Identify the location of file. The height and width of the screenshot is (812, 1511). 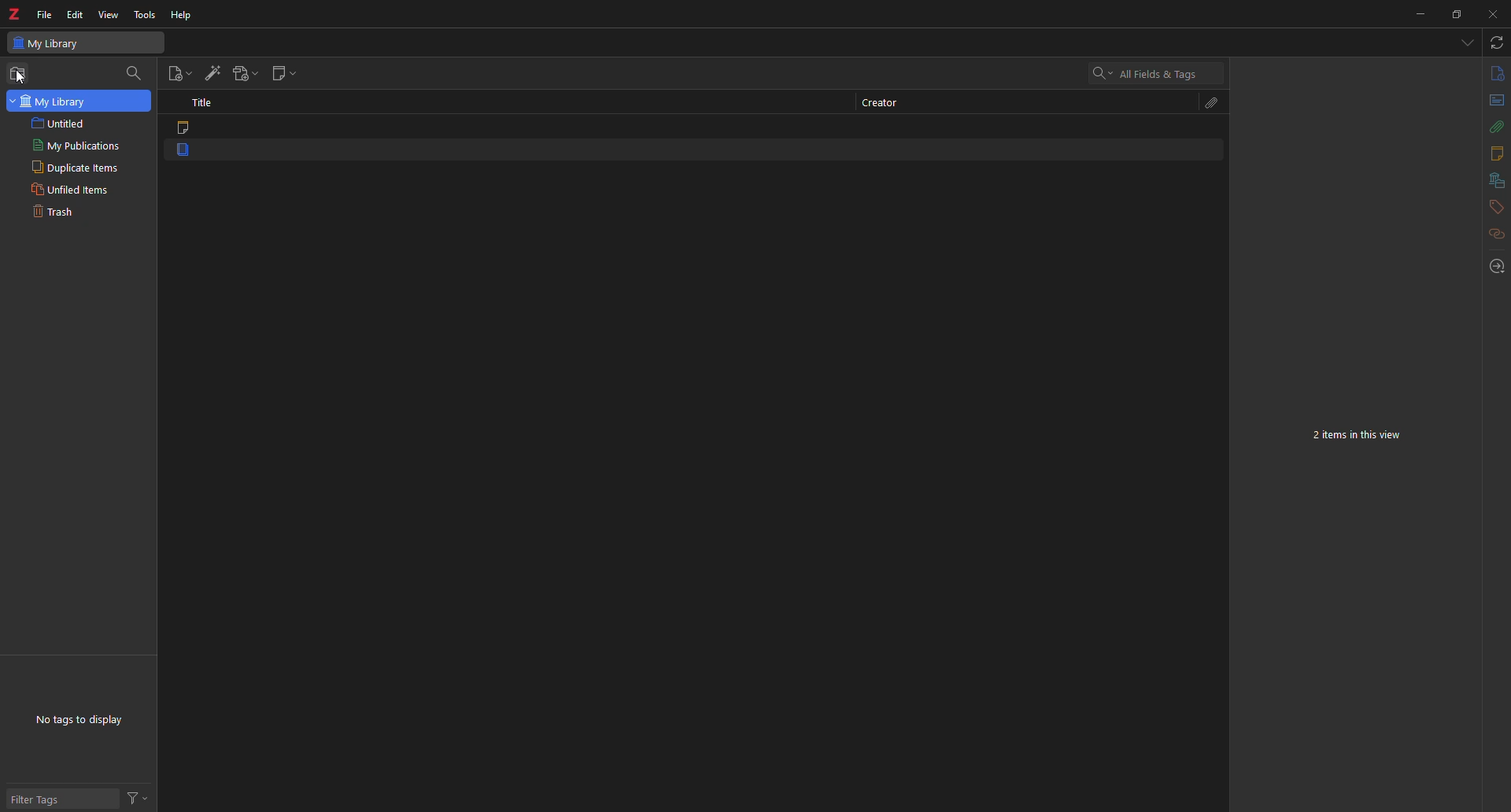
(45, 12).